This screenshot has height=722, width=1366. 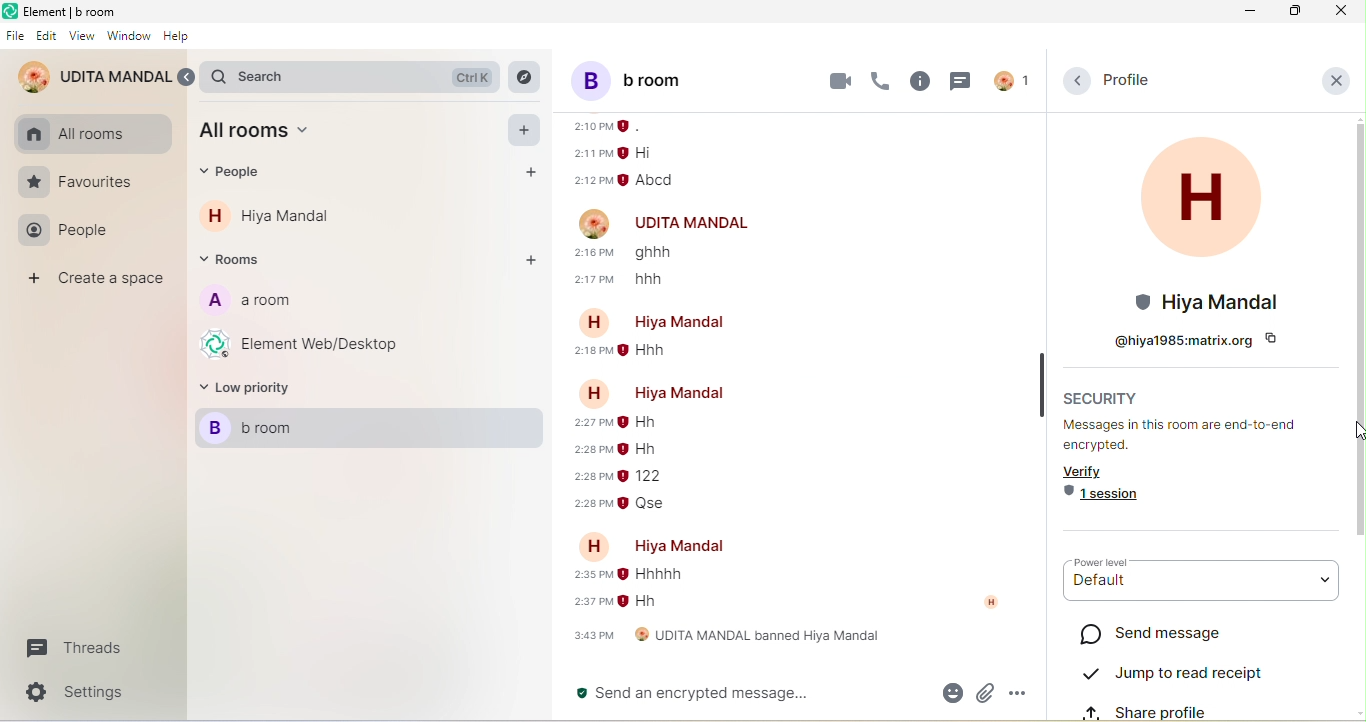 I want to click on qse-older message from hiya mandal, so click(x=650, y=505).